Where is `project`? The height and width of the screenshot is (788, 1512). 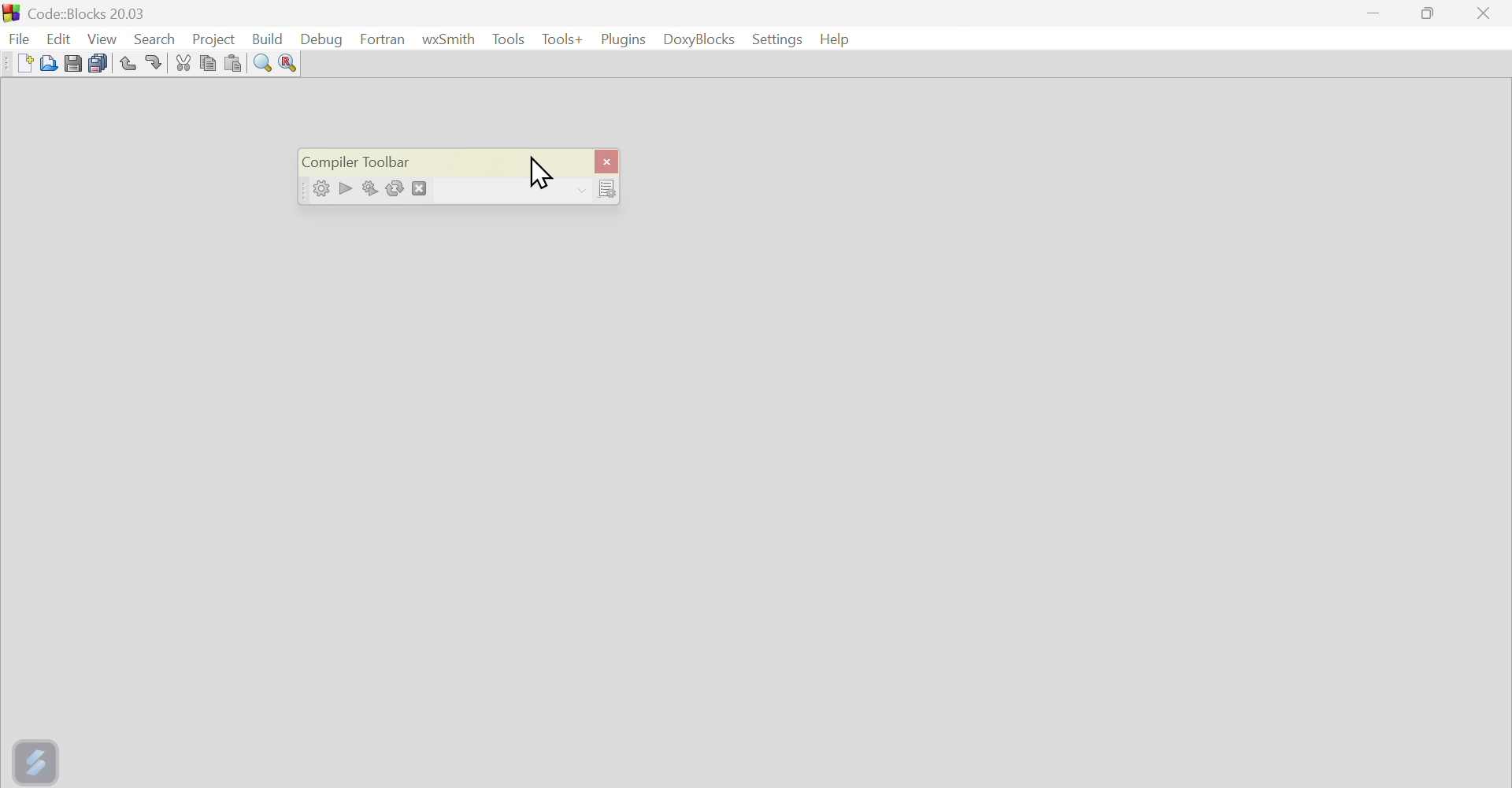
project is located at coordinates (213, 36).